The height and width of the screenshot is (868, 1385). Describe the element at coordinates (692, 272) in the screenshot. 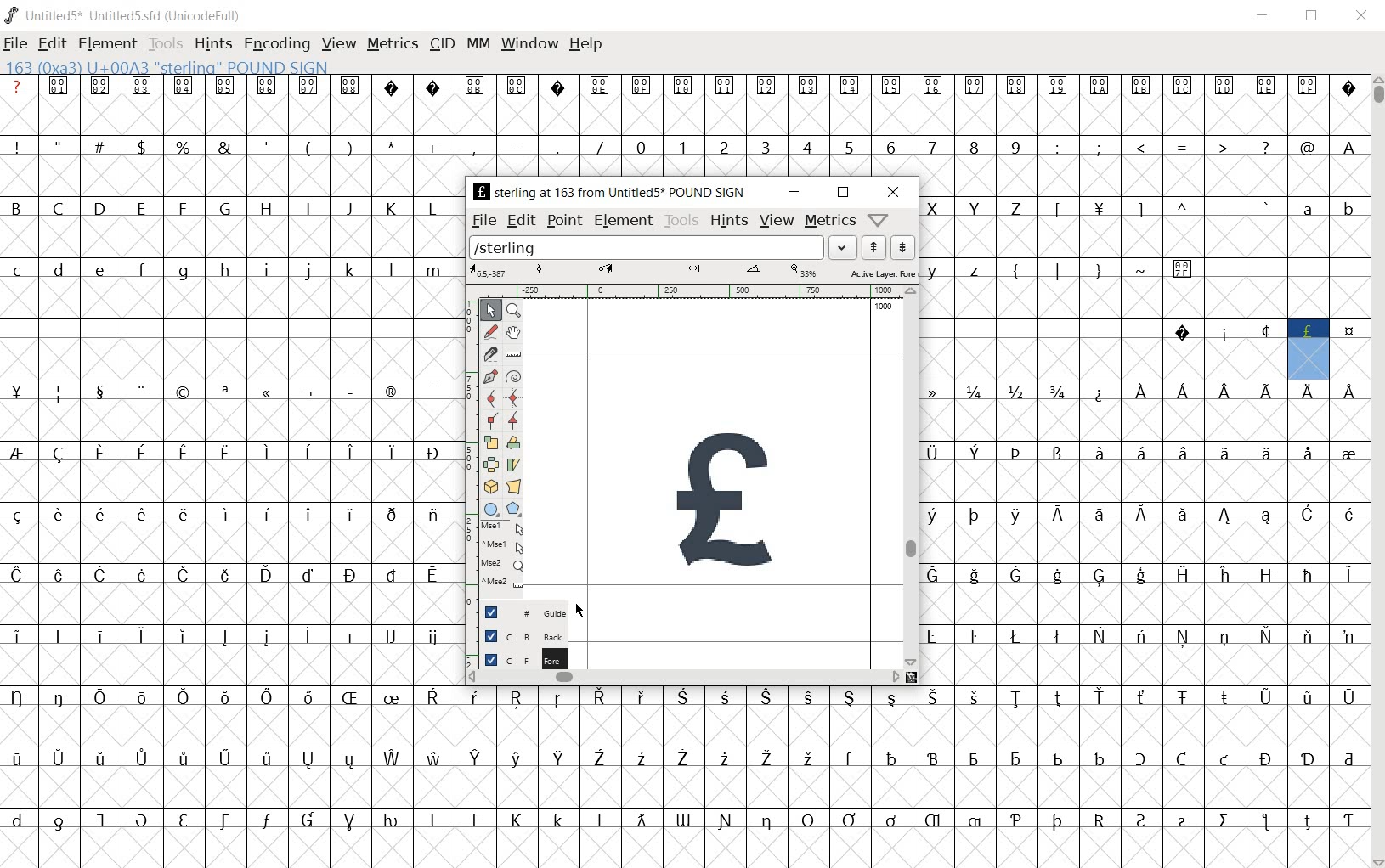

I see `Active layer` at that location.